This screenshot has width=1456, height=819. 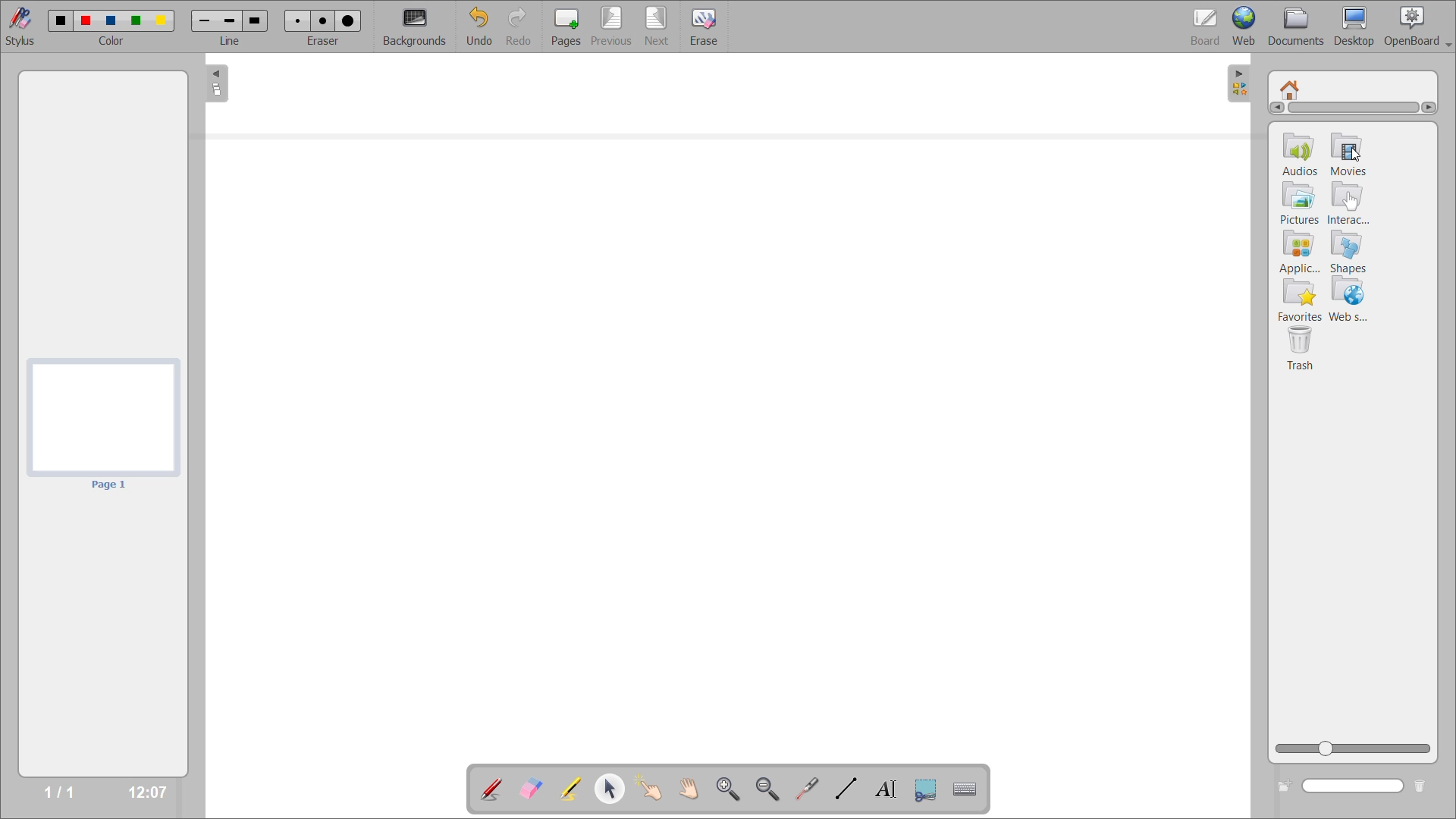 What do you see at coordinates (615, 789) in the screenshot?
I see `select and modify objects` at bounding box center [615, 789].